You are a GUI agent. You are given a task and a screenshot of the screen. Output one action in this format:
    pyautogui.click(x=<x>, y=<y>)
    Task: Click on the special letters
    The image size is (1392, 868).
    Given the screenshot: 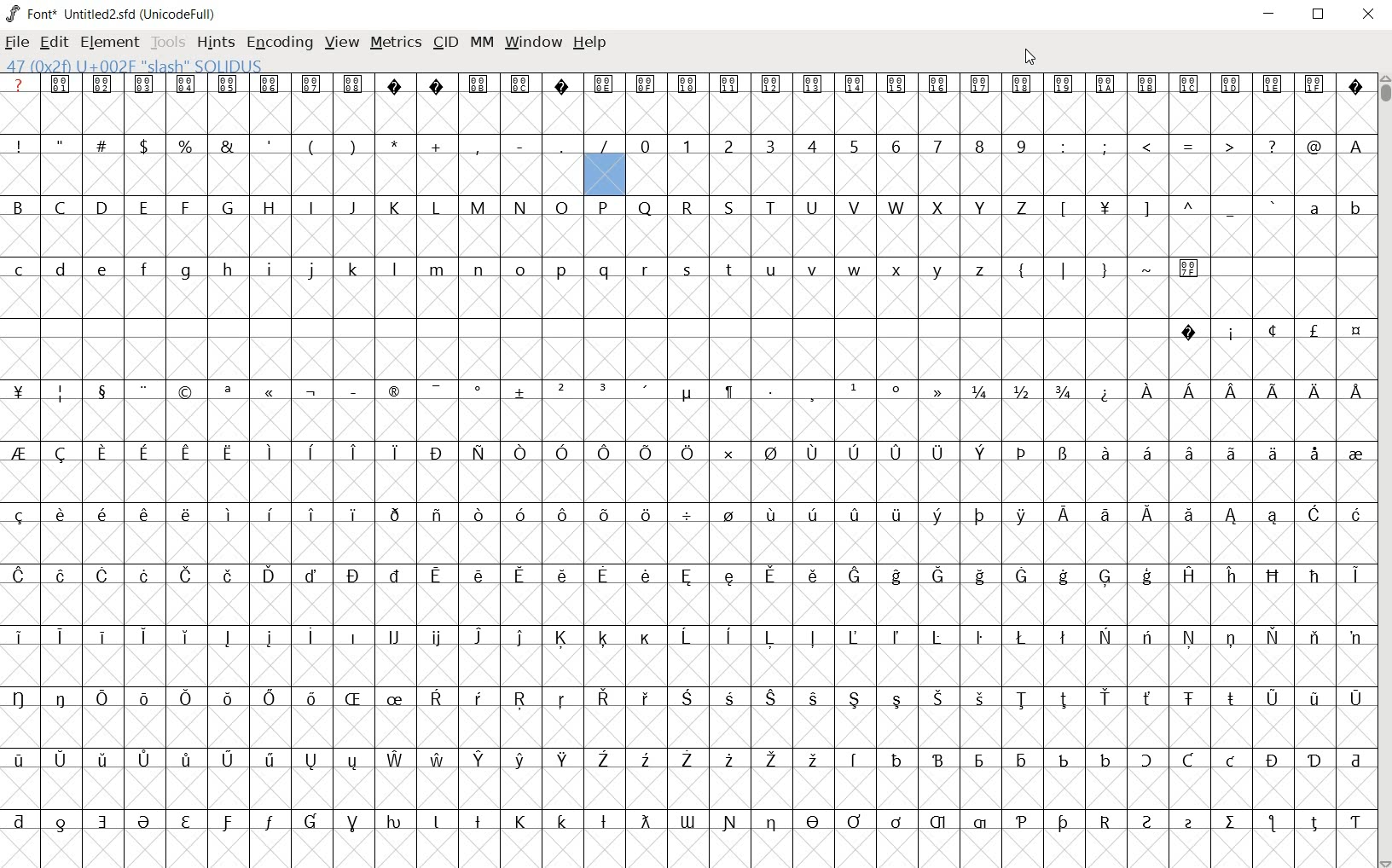 What is the action you would take?
    pyautogui.click(x=685, y=512)
    